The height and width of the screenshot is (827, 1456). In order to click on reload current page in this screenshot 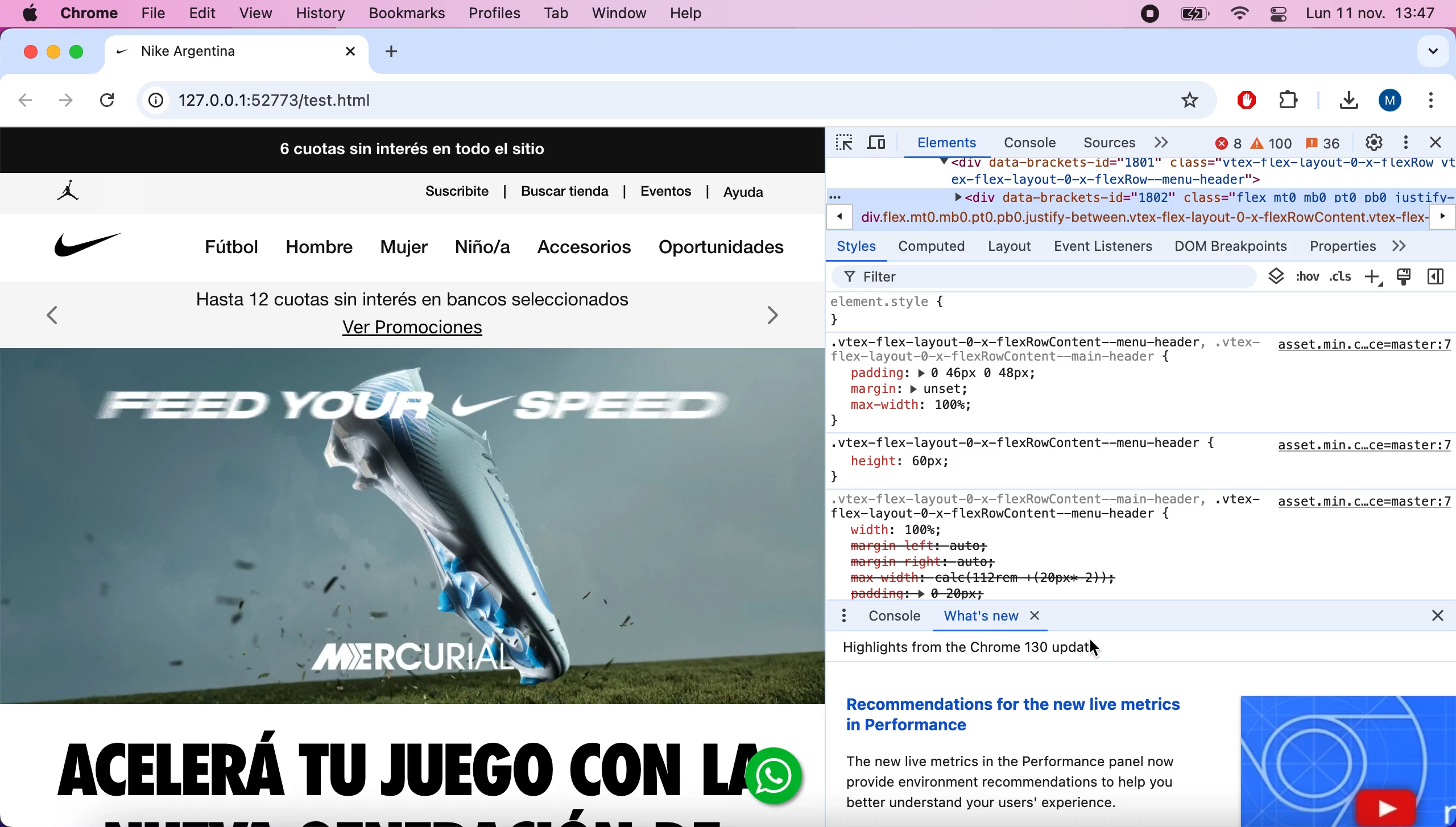, I will do `click(110, 97)`.